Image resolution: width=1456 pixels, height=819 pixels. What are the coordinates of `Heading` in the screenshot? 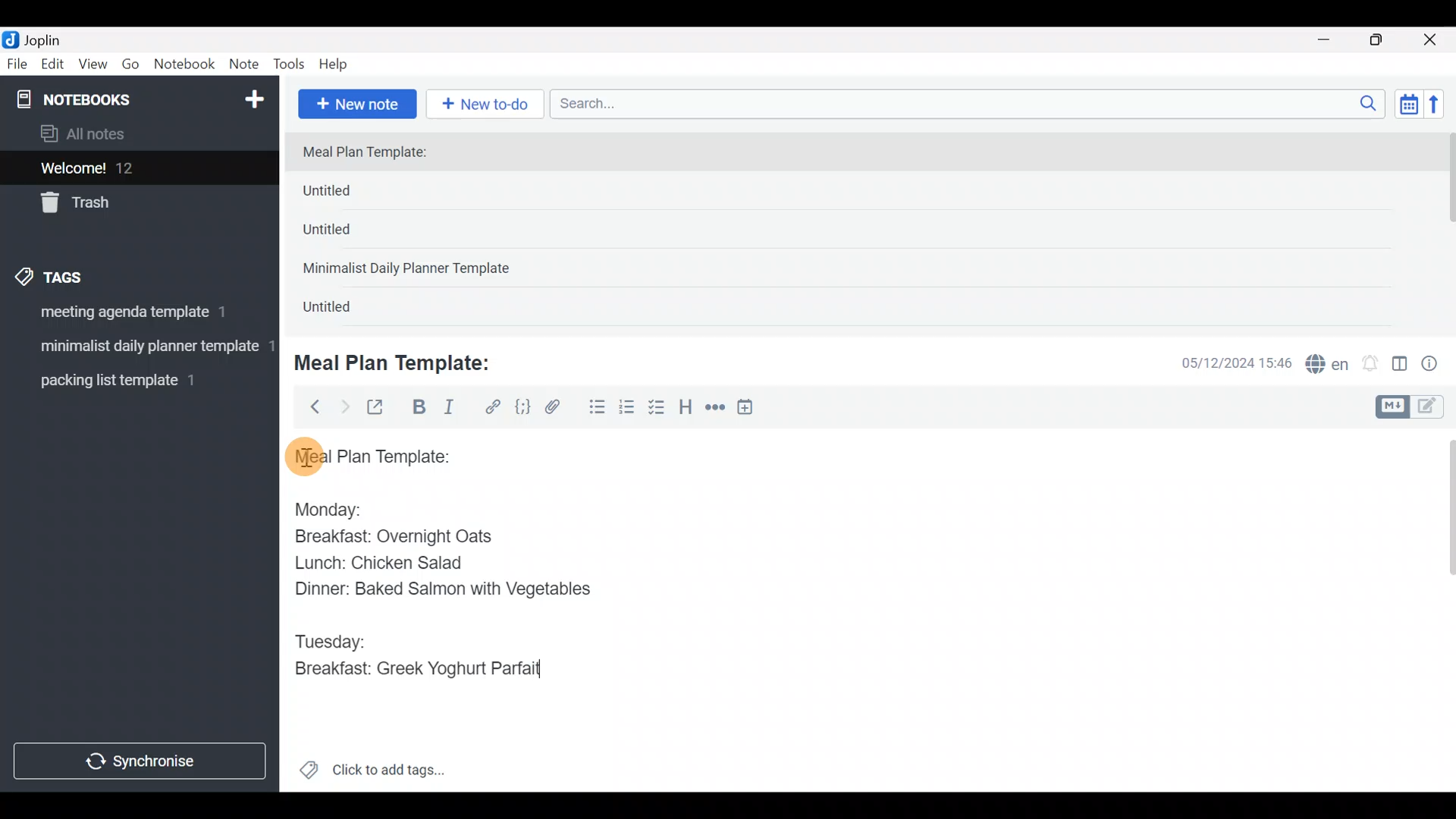 It's located at (686, 409).